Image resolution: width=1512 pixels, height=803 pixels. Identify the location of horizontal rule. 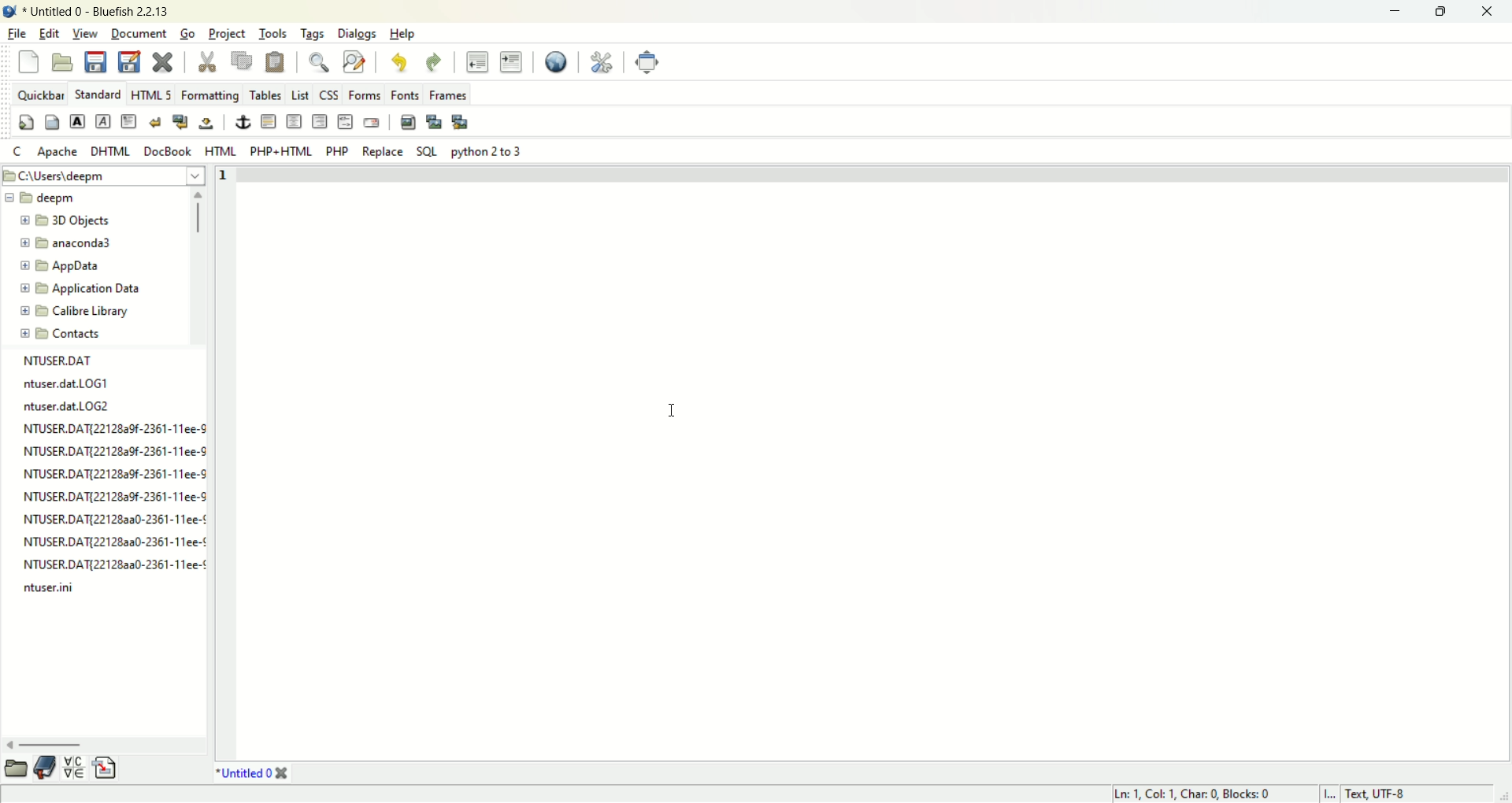
(269, 121).